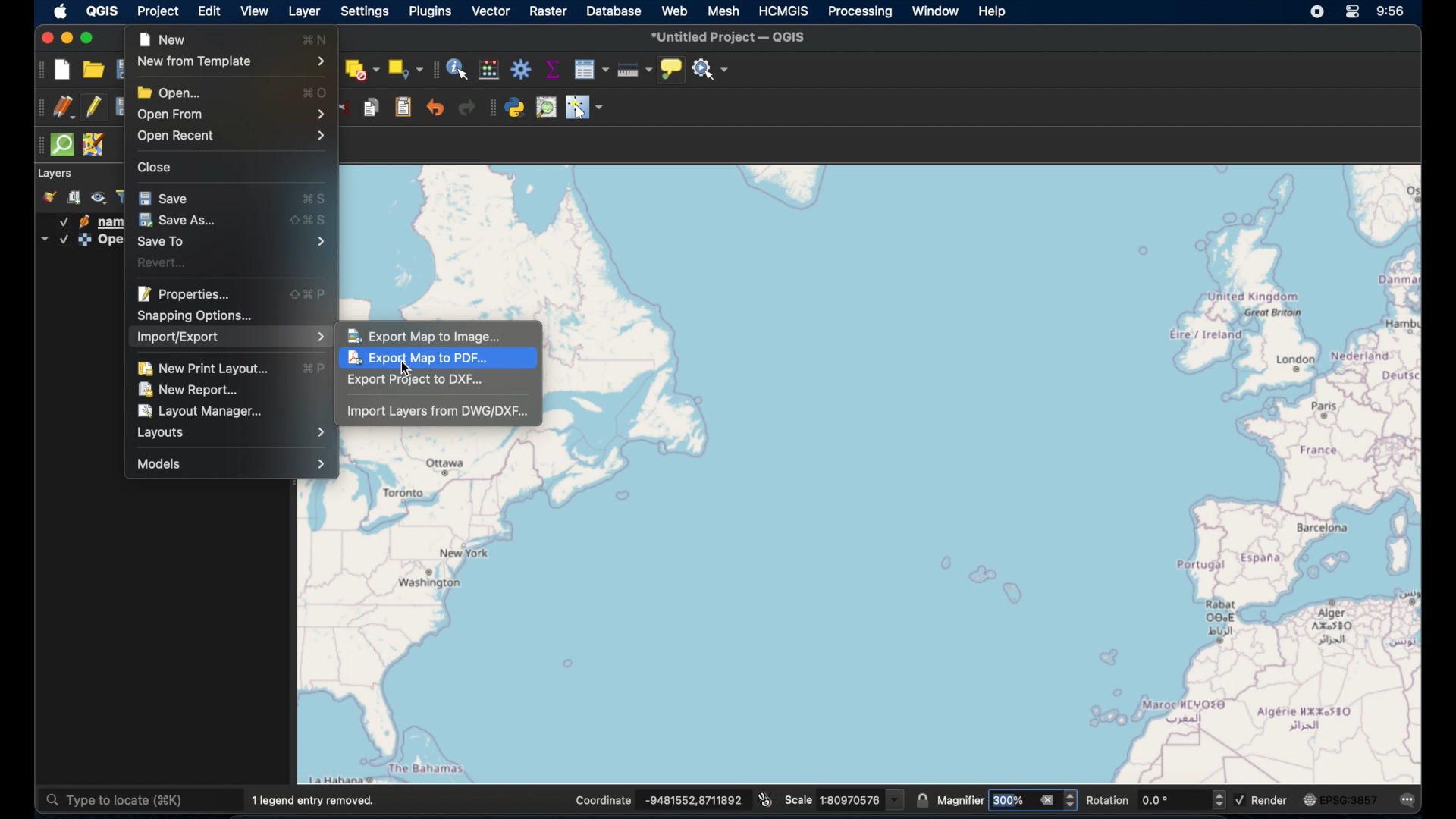  What do you see at coordinates (46, 38) in the screenshot?
I see `close` at bounding box center [46, 38].